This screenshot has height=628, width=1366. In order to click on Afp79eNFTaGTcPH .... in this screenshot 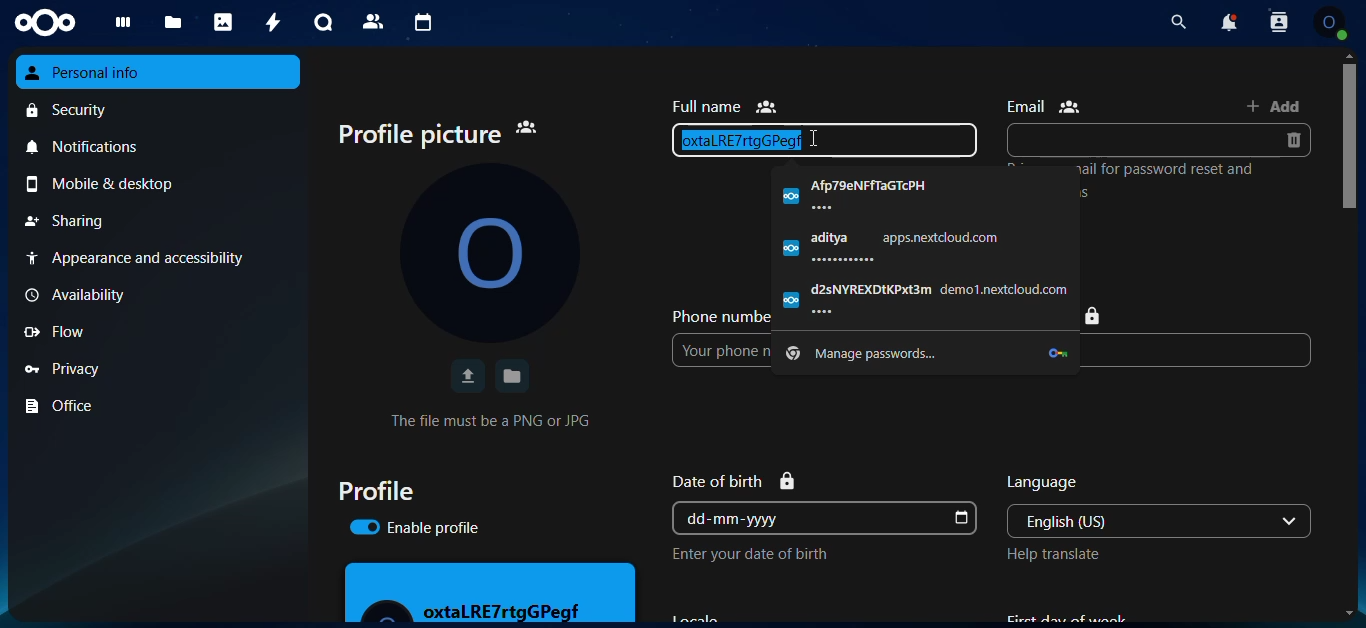, I will do `click(924, 194)`.